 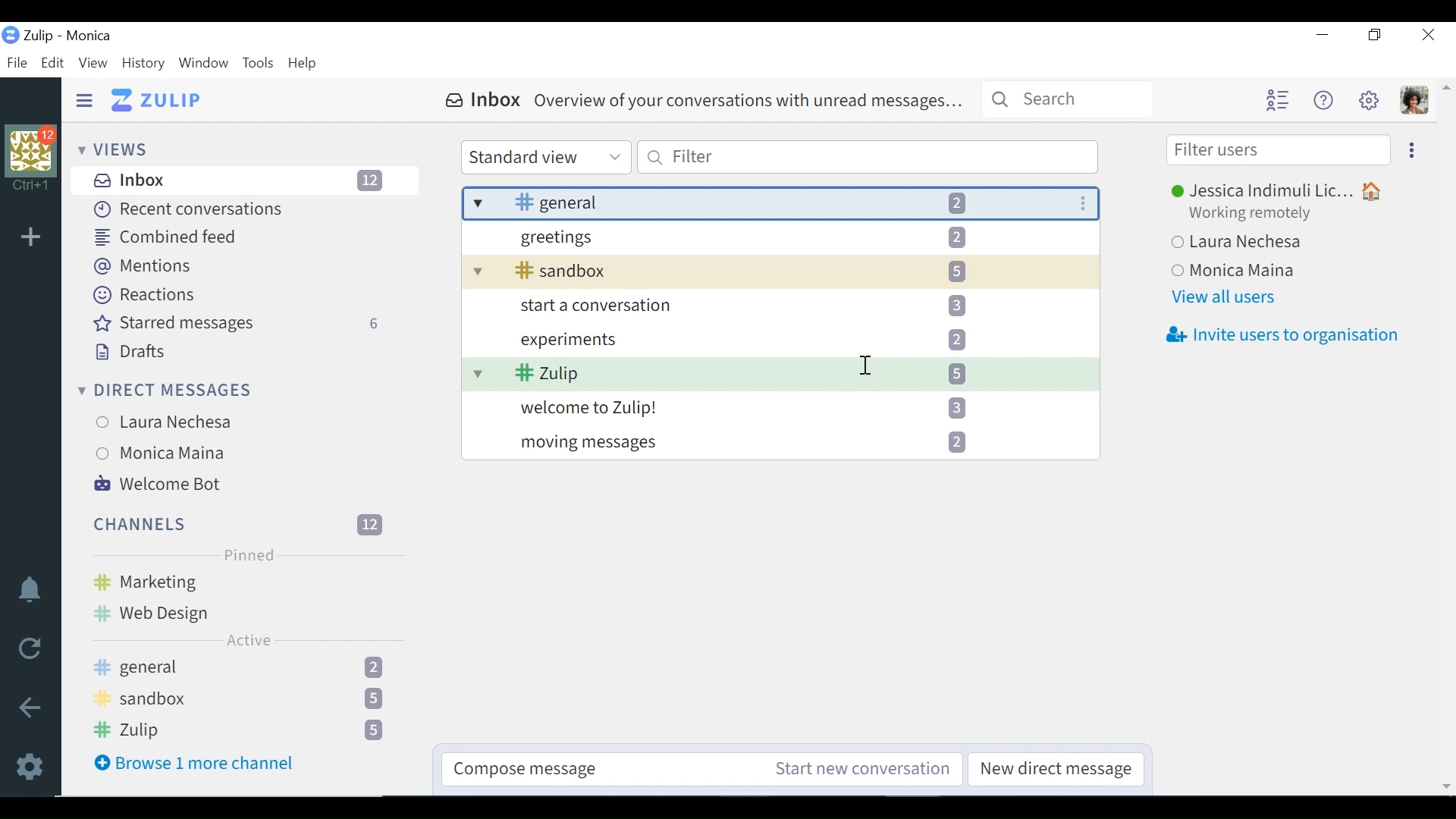 I want to click on Main menu, so click(x=1368, y=100).